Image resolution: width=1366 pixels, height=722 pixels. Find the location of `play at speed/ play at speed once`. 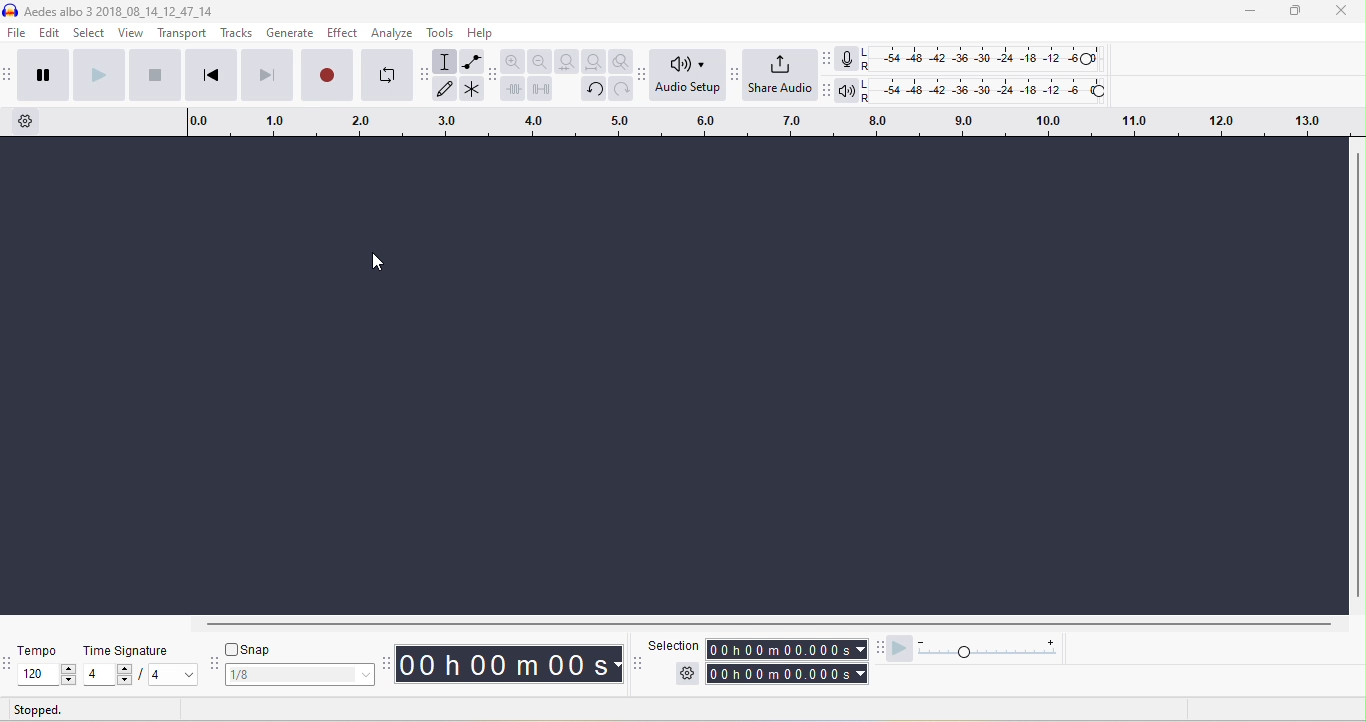

play at speed/ play at speed once is located at coordinates (900, 650).